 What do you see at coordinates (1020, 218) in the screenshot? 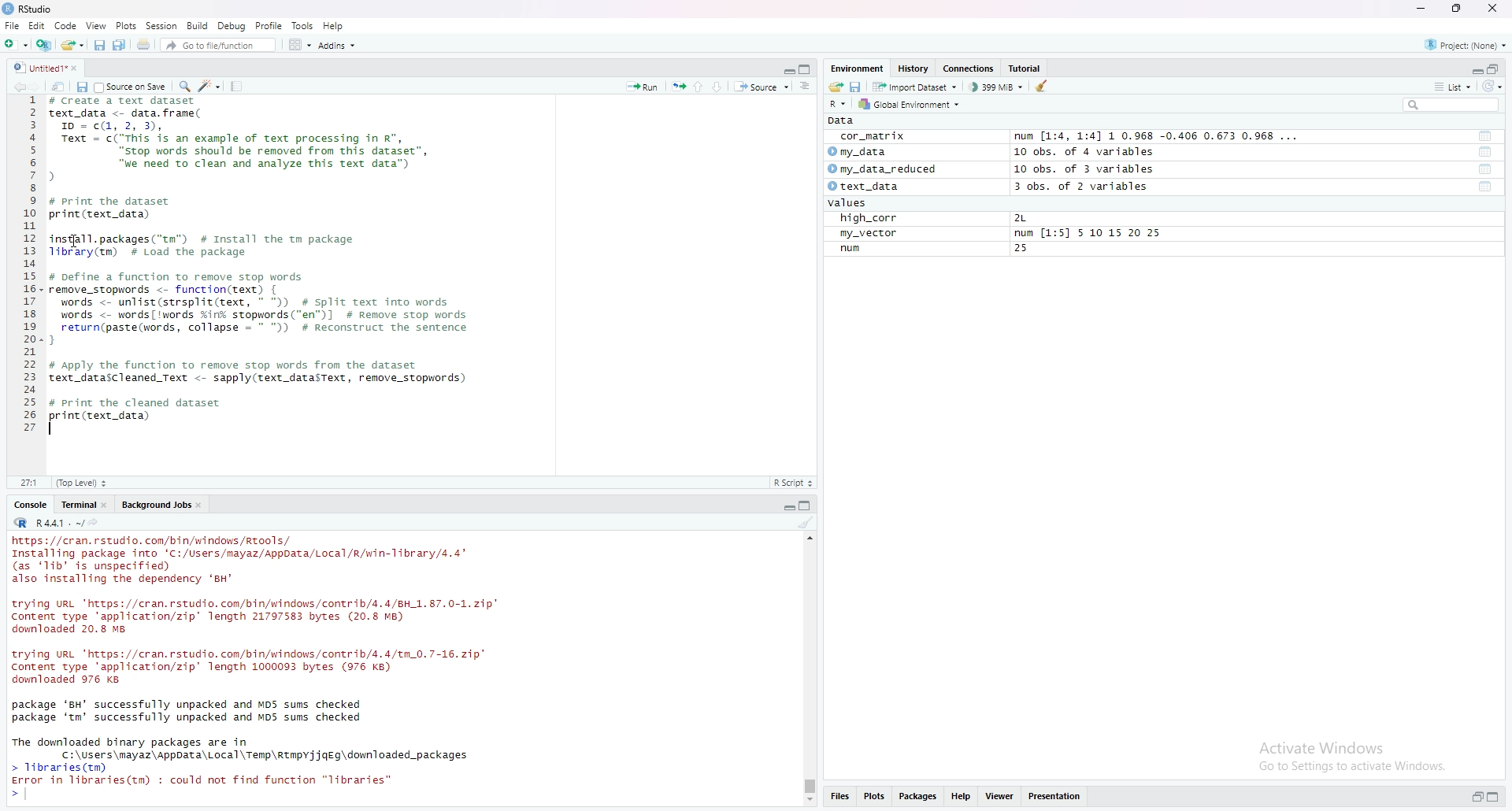
I see `2L` at bounding box center [1020, 218].